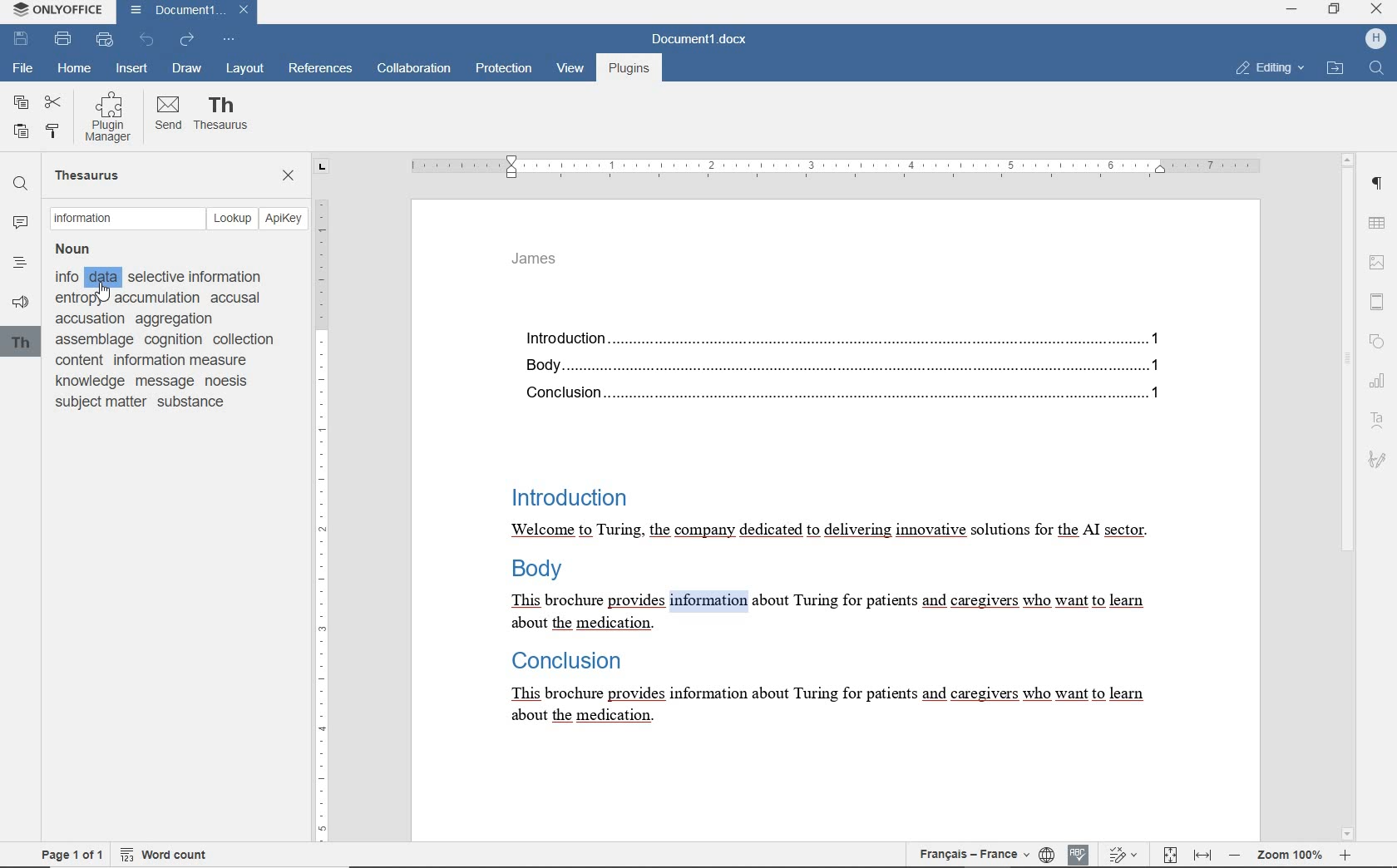 This screenshot has height=868, width=1397. Describe the element at coordinates (1377, 301) in the screenshot. I see `HEADER AND FOOTER` at that location.